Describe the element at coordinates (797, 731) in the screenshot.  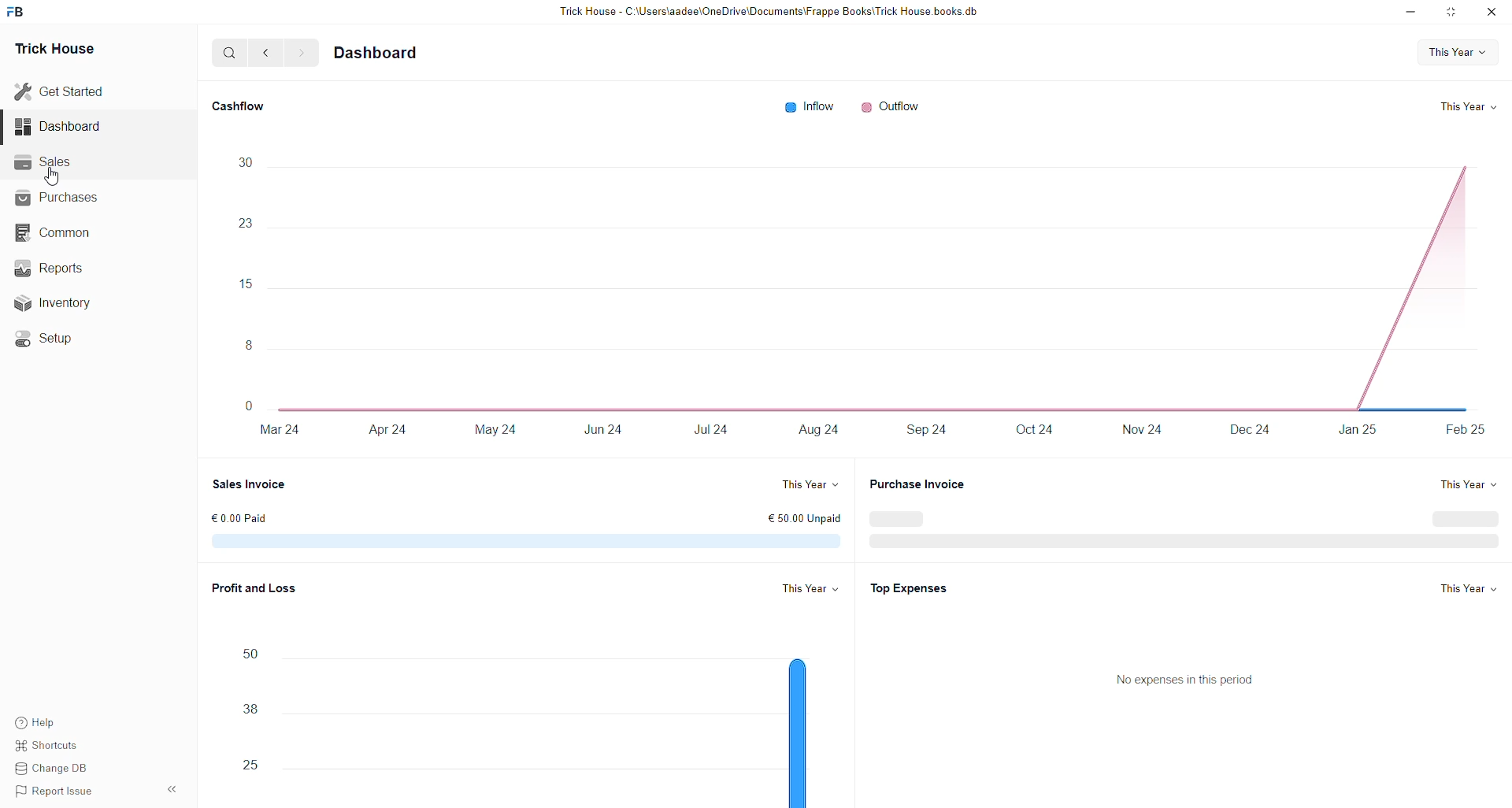
I see `bar` at that location.